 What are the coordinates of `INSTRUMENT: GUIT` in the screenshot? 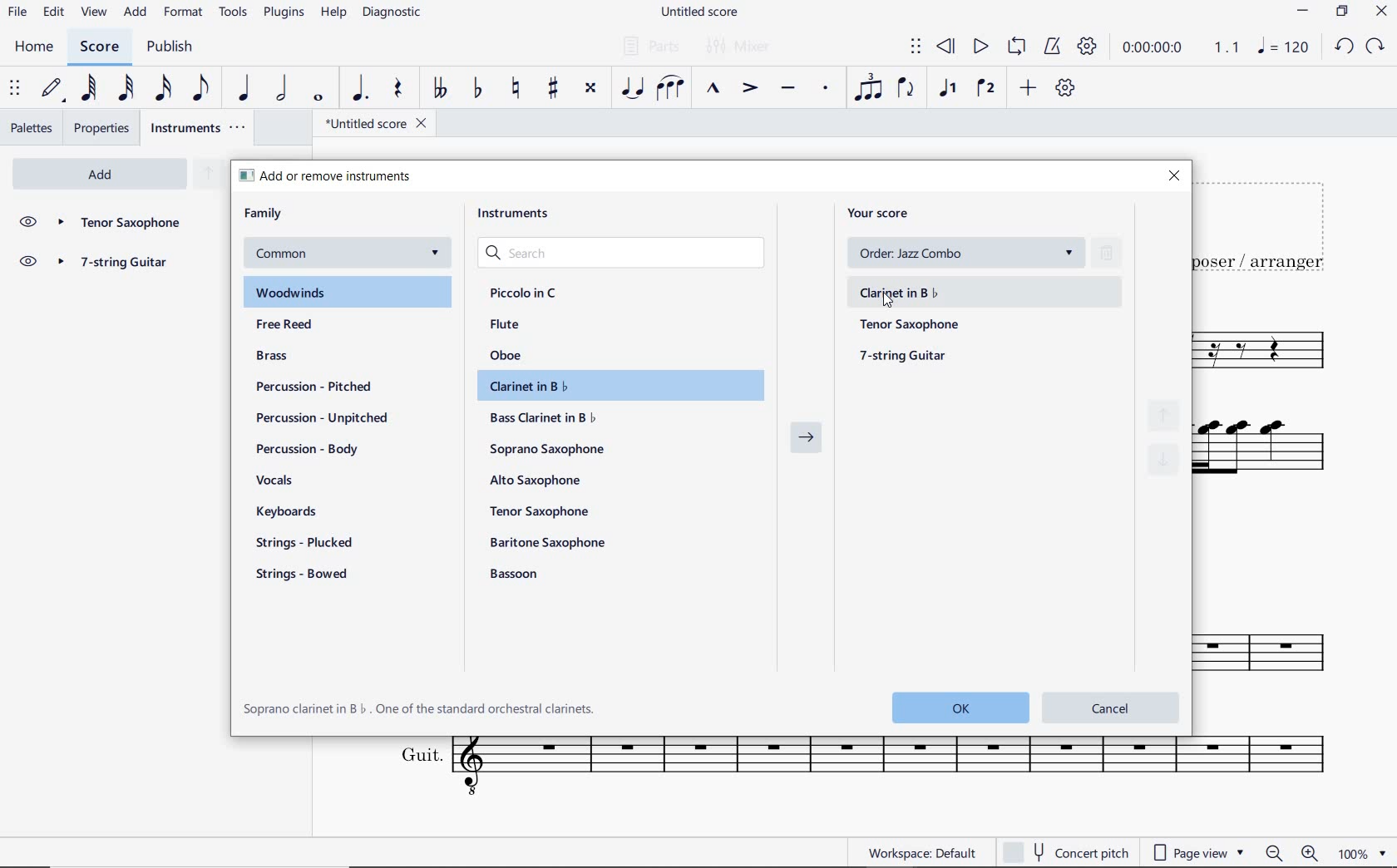 It's located at (853, 769).